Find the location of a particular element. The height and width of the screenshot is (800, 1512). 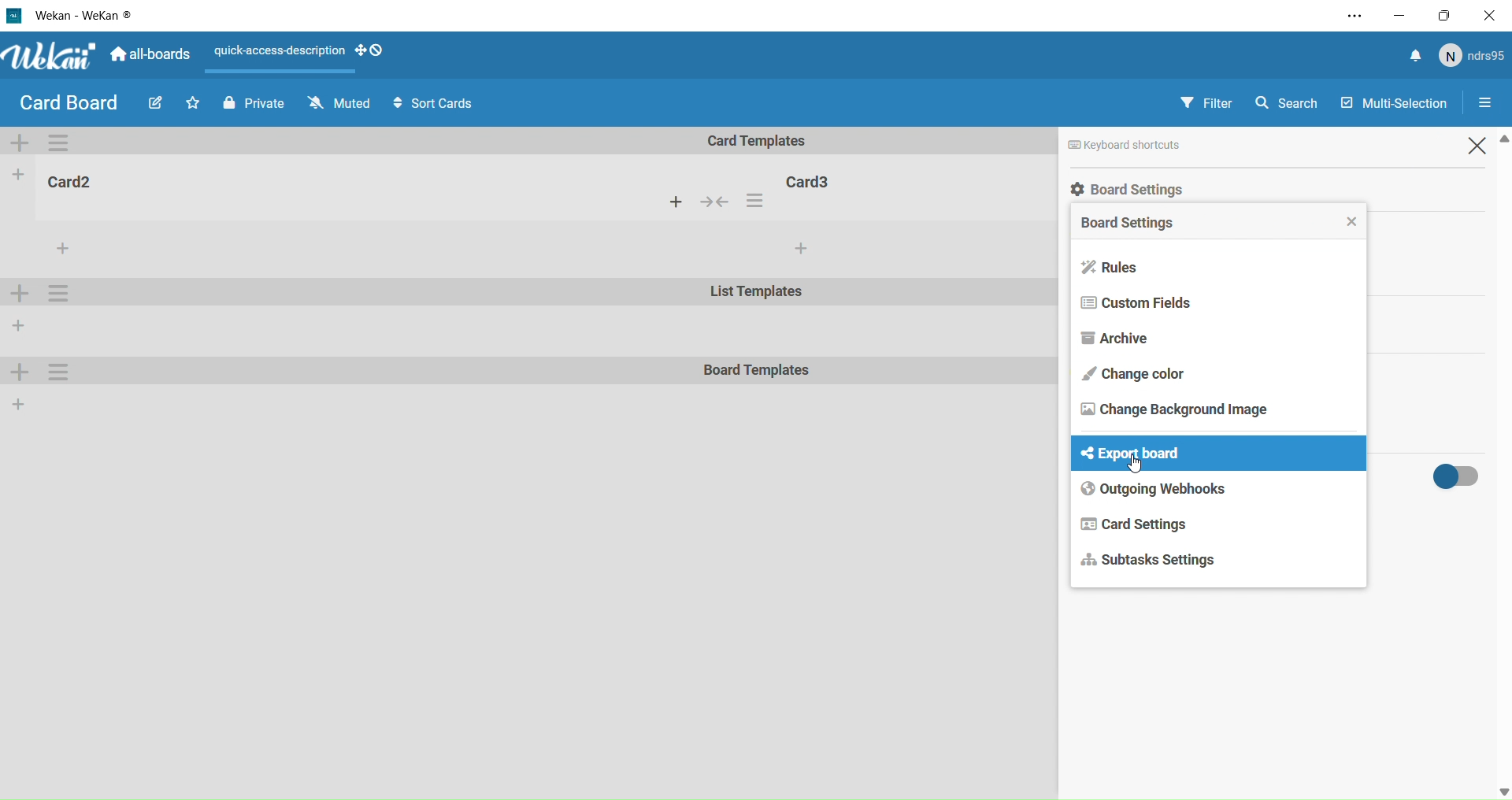

 is located at coordinates (191, 102).